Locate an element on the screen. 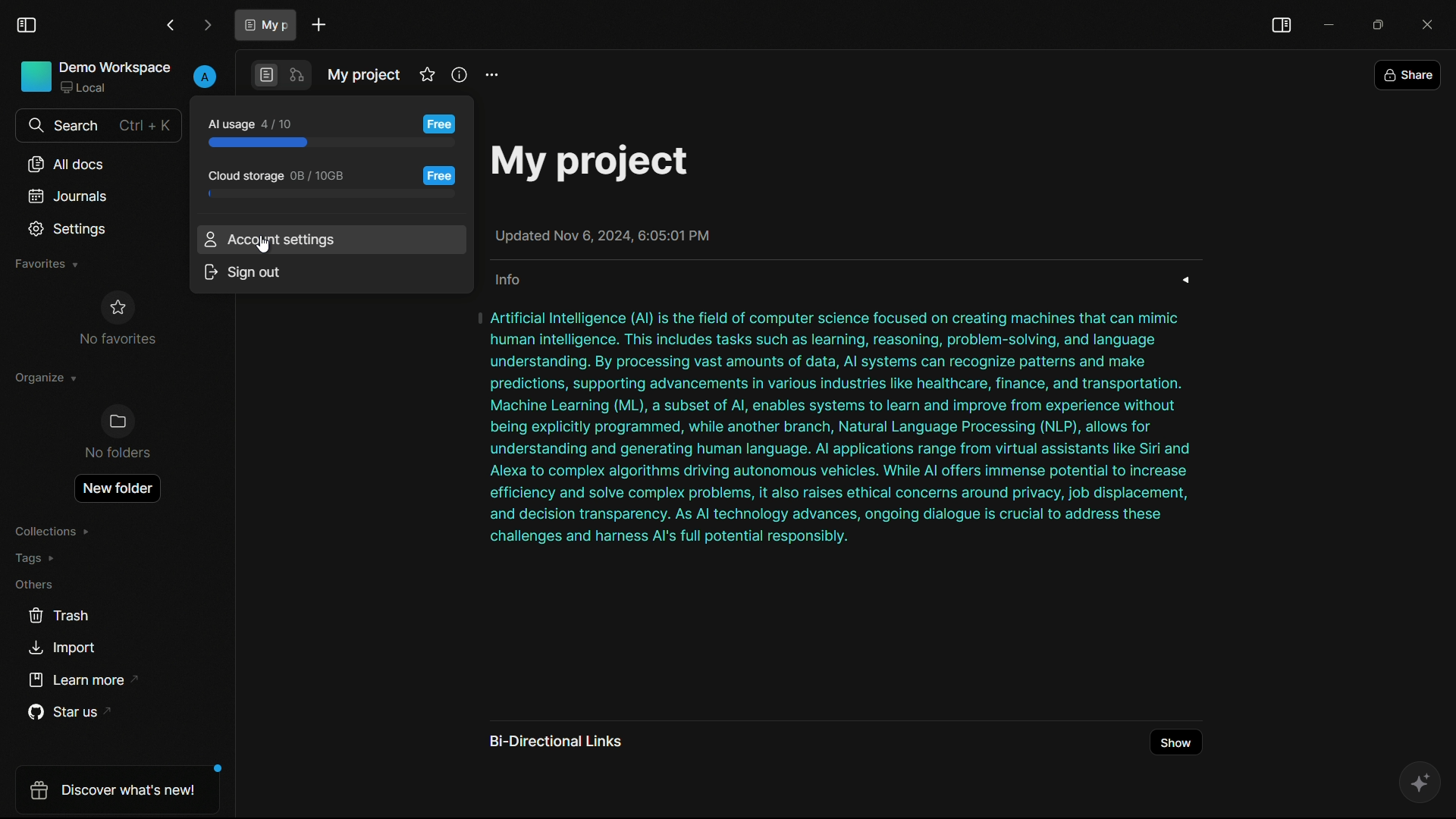  profile is located at coordinates (204, 77).